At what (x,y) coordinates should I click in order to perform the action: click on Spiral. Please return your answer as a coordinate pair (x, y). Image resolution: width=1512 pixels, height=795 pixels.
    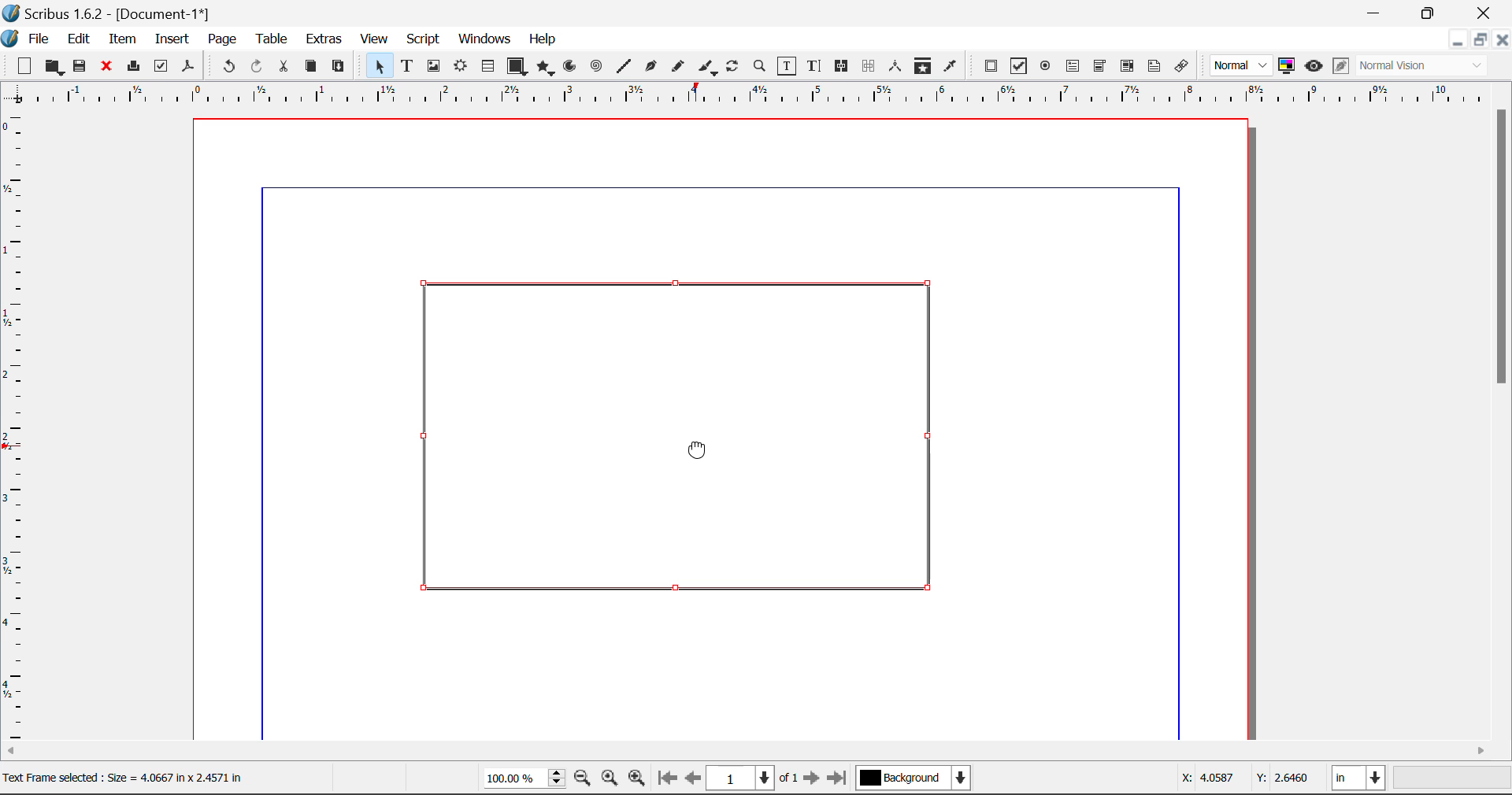
    Looking at the image, I should click on (596, 66).